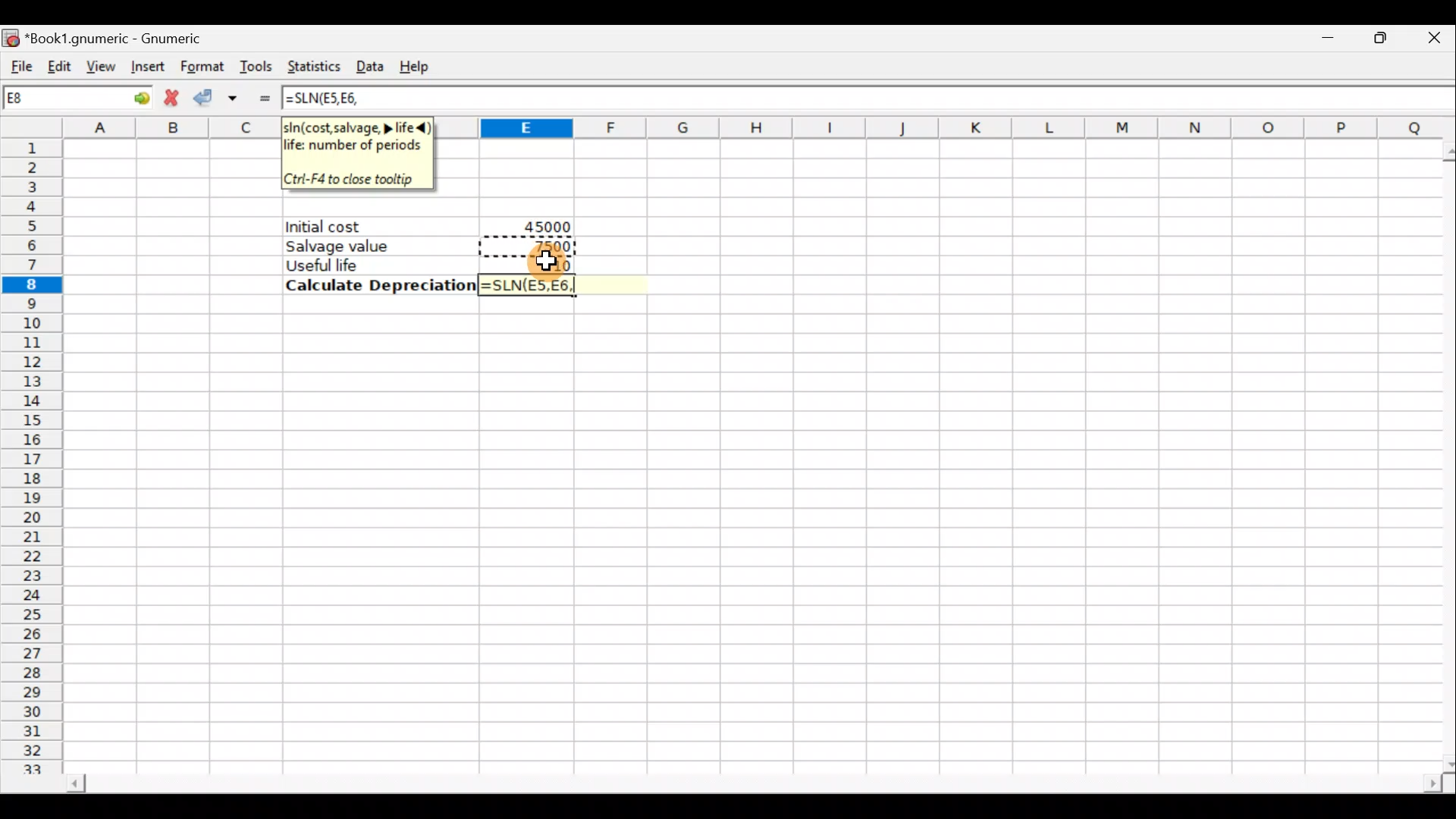  What do you see at coordinates (423, 61) in the screenshot?
I see `Help` at bounding box center [423, 61].